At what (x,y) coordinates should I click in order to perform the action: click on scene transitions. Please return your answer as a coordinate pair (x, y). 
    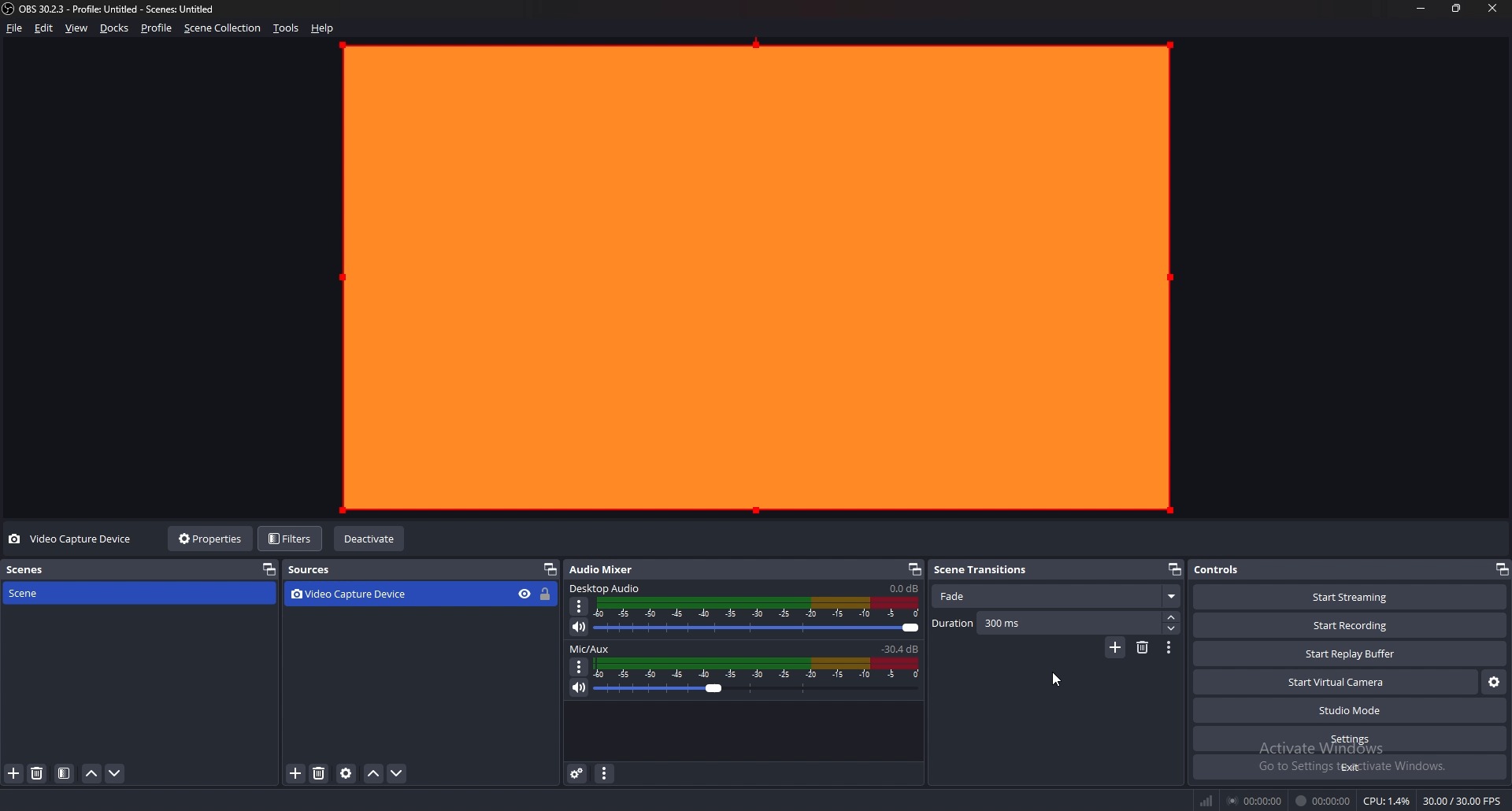
    Looking at the image, I should click on (987, 568).